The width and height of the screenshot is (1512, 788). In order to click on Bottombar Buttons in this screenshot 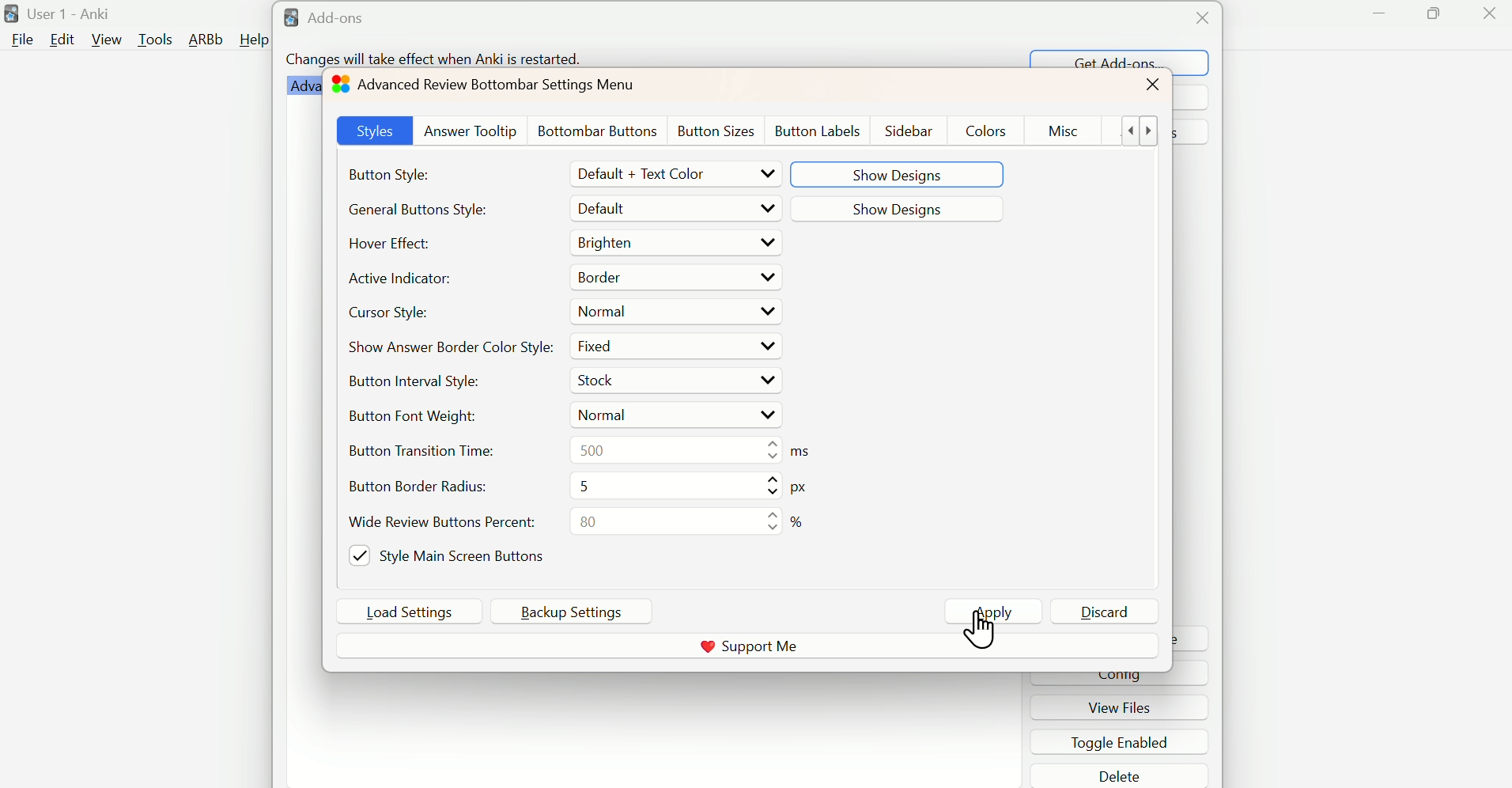, I will do `click(600, 131)`.